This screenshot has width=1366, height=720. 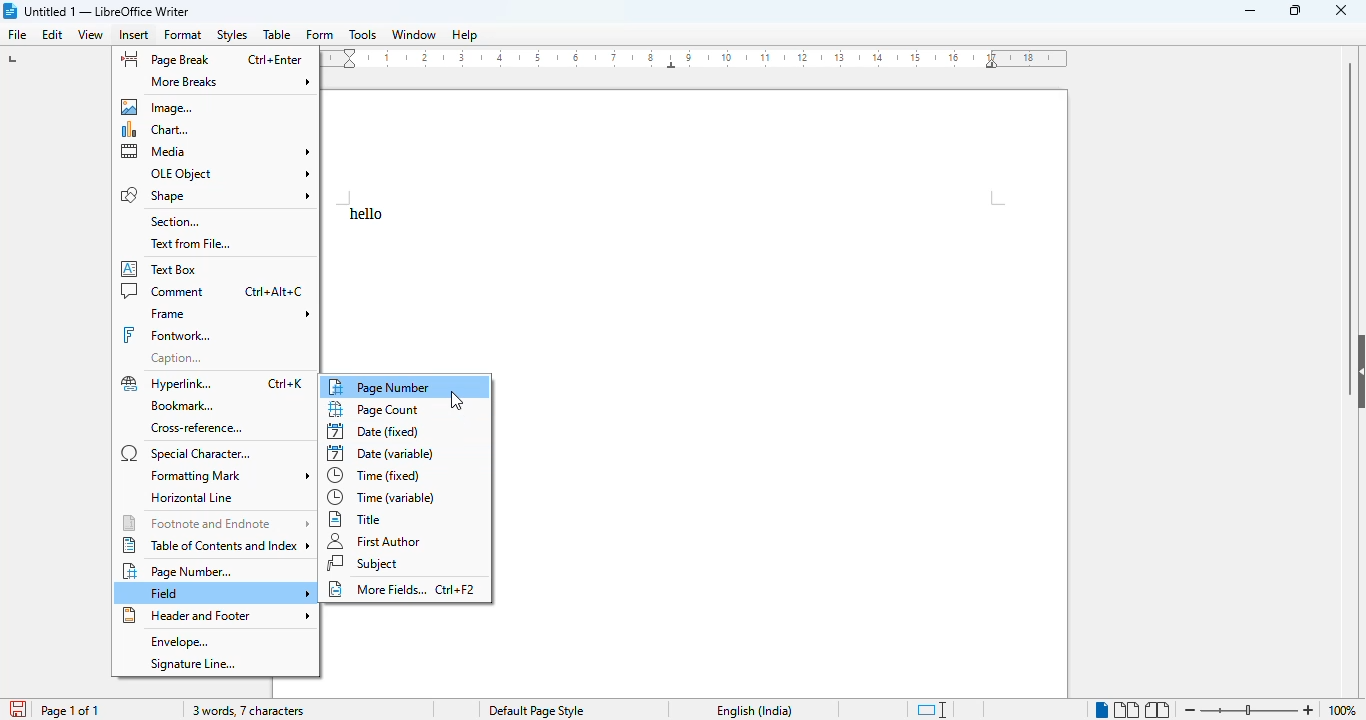 What do you see at coordinates (1310, 710) in the screenshot?
I see `zoom in` at bounding box center [1310, 710].